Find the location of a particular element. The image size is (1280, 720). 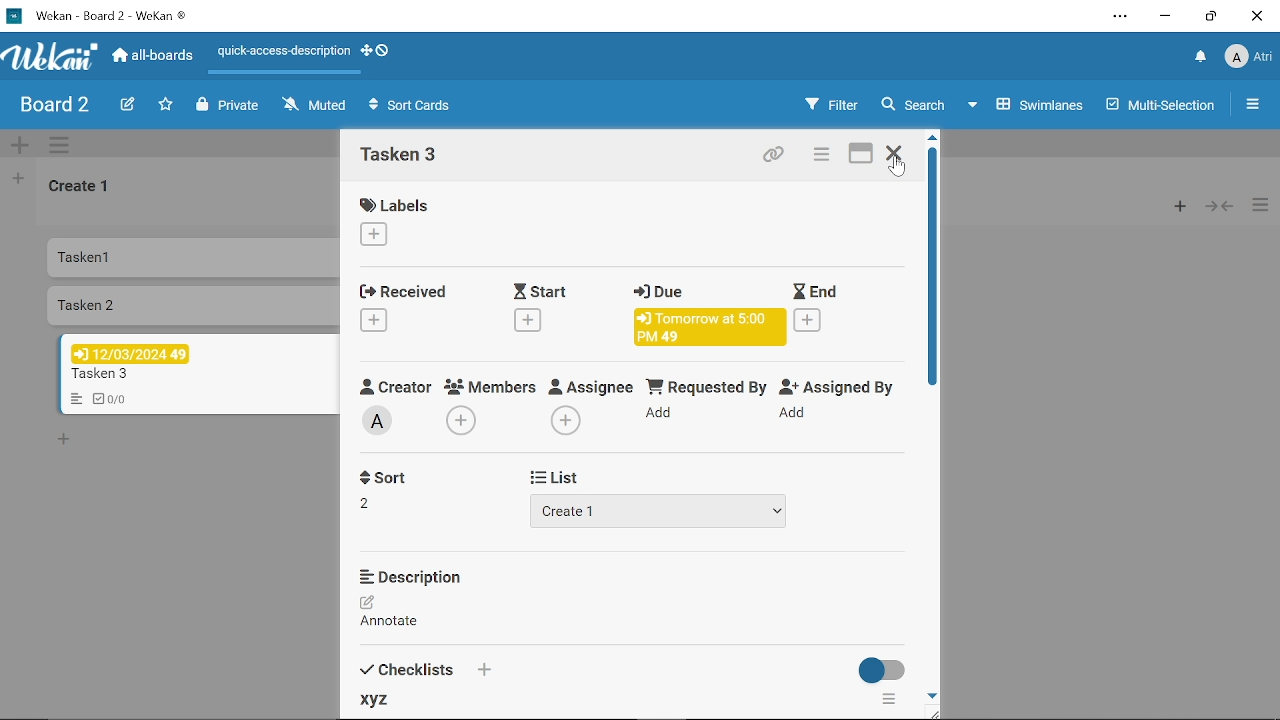

Received is located at coordinates (402, 290).